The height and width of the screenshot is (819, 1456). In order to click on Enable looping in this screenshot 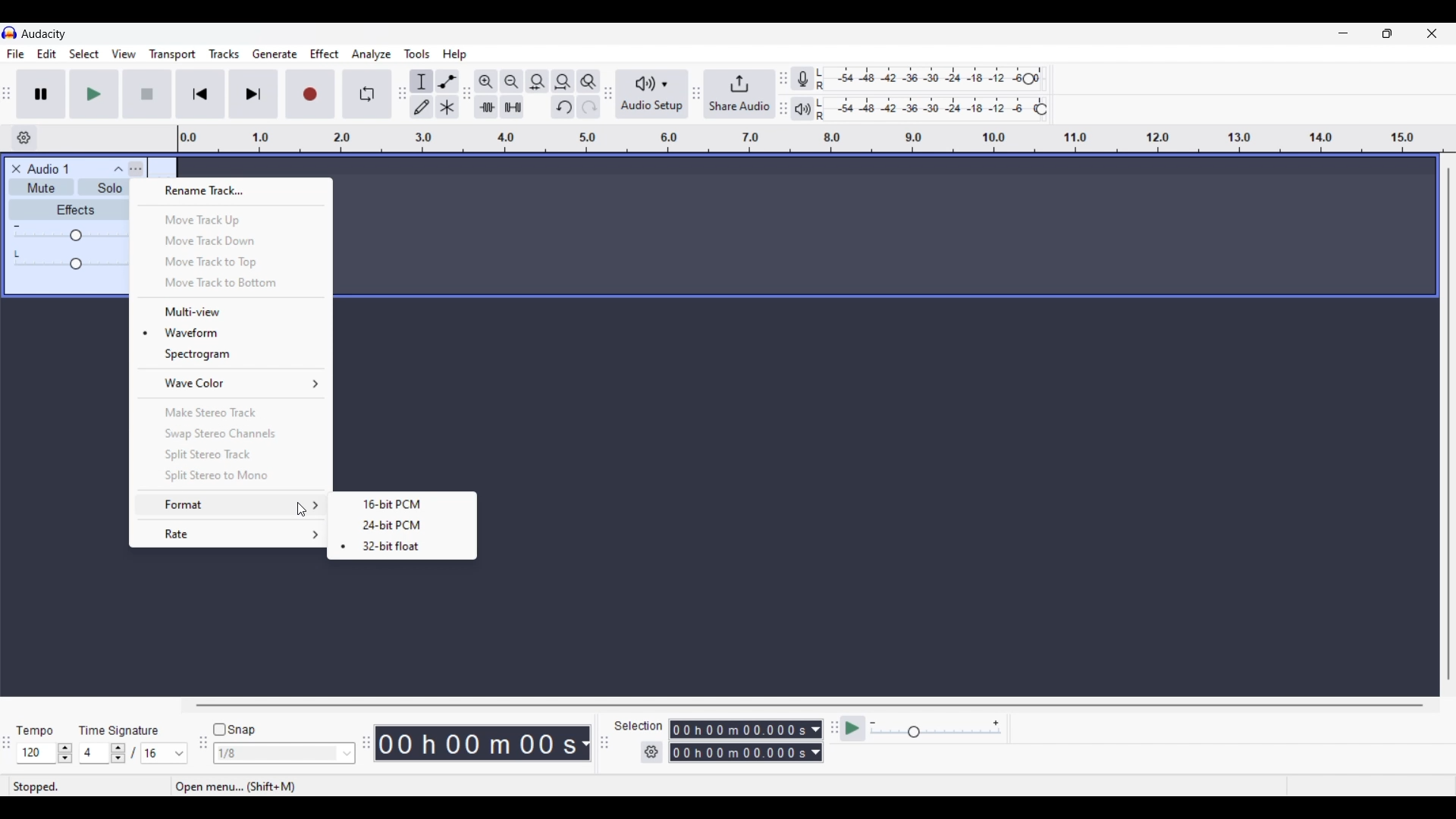, I will do `click(368, 94)`.